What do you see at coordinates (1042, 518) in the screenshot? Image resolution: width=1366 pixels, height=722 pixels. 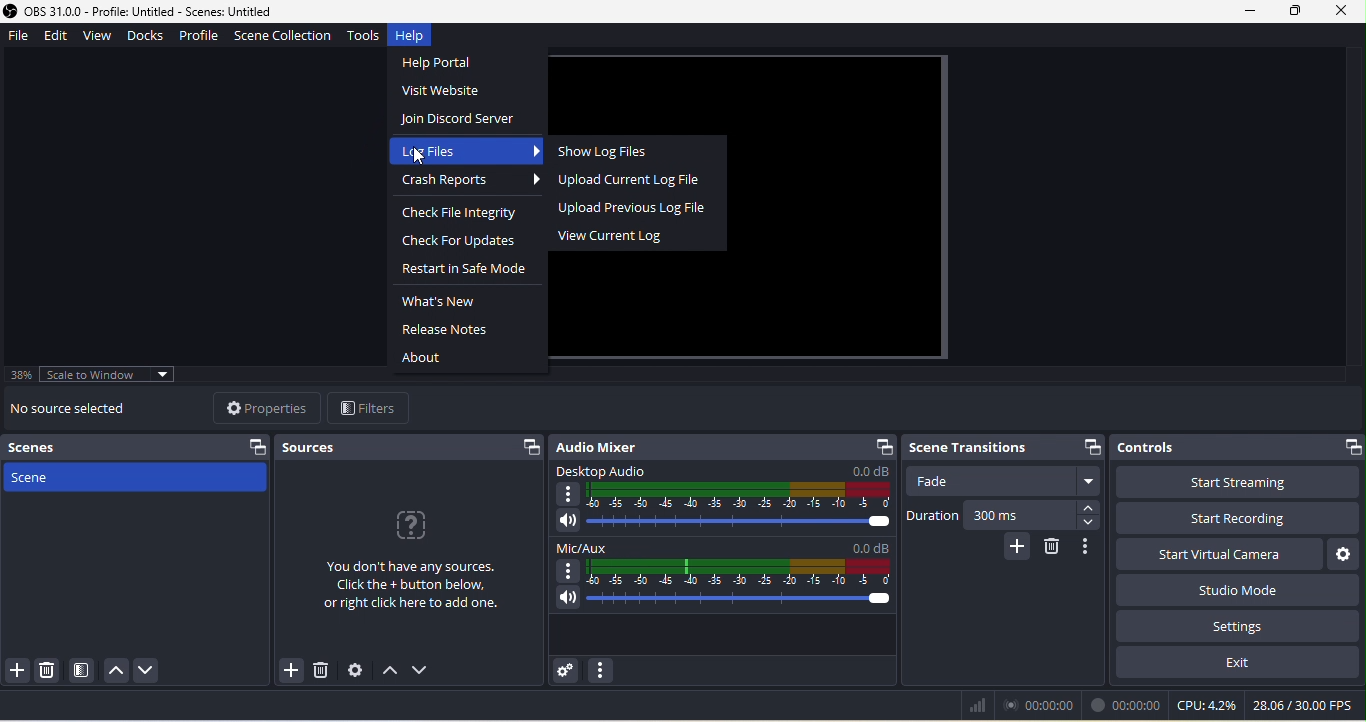 I see `300 ms` at bounding box center [1042, 518].